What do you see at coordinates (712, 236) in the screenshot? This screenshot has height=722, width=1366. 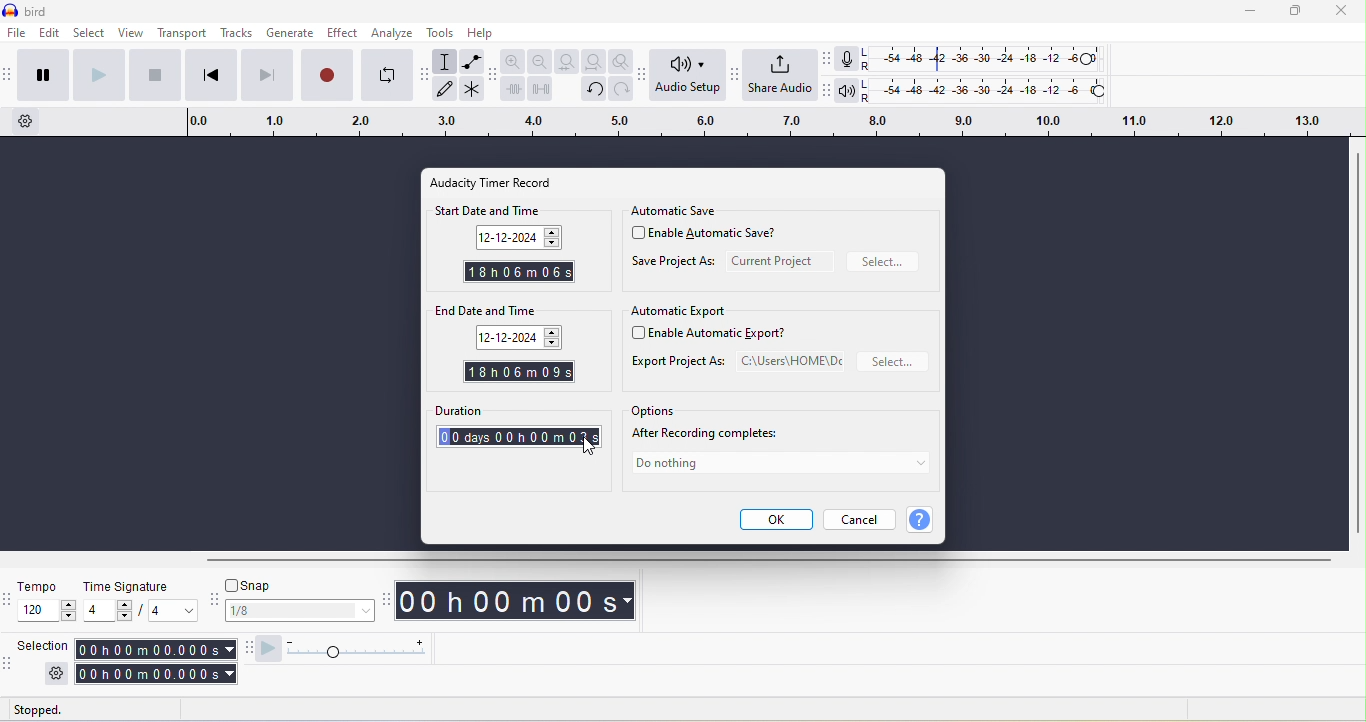 I see `enable automatic save?` at bounding box center [712, 236].